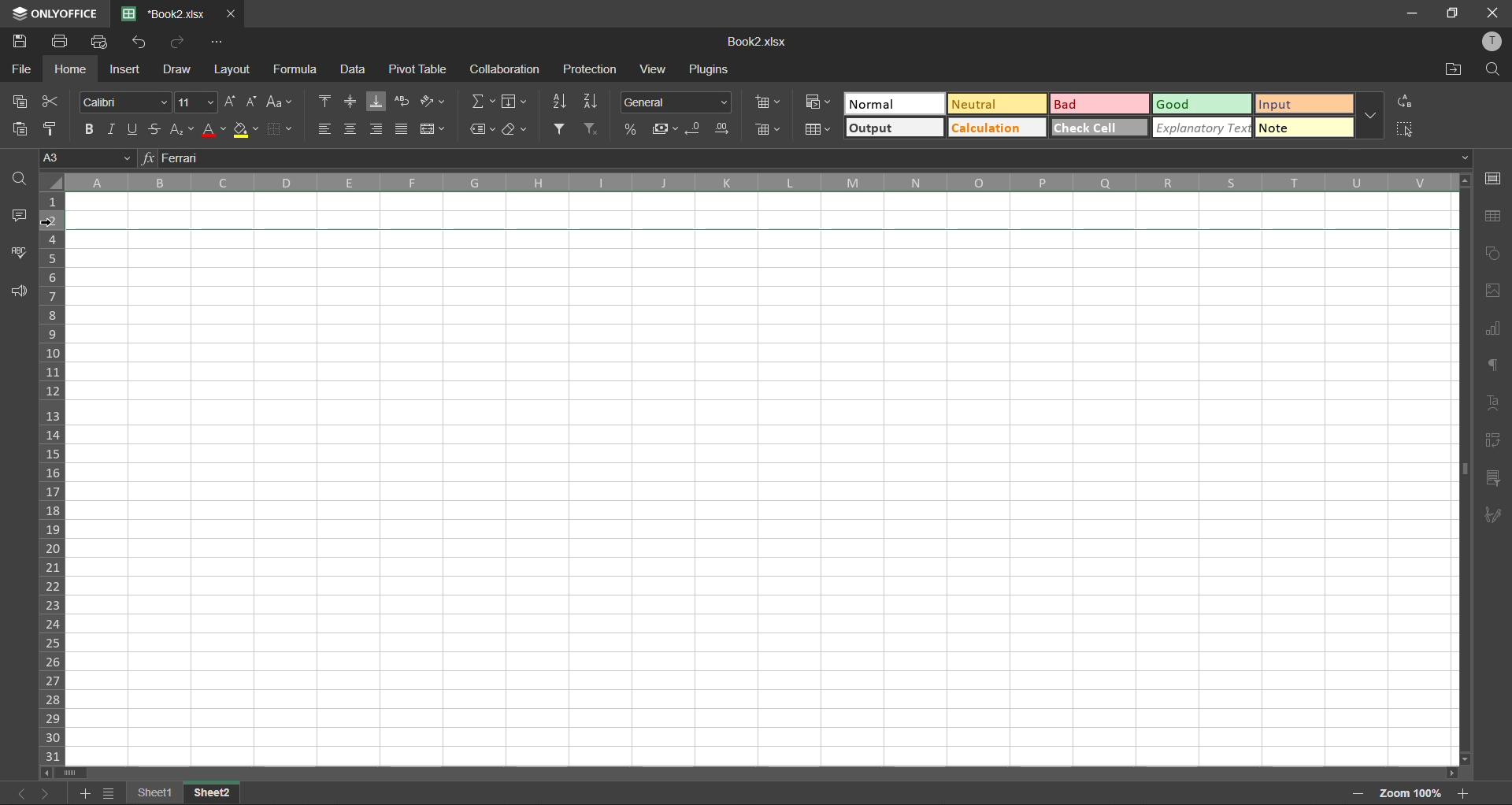 This screenshot has width=1512, height=805. What do you see at coordinates (1495, 363) in the screenshot?
I see `paragraph` at bounding box center [1495, 363].